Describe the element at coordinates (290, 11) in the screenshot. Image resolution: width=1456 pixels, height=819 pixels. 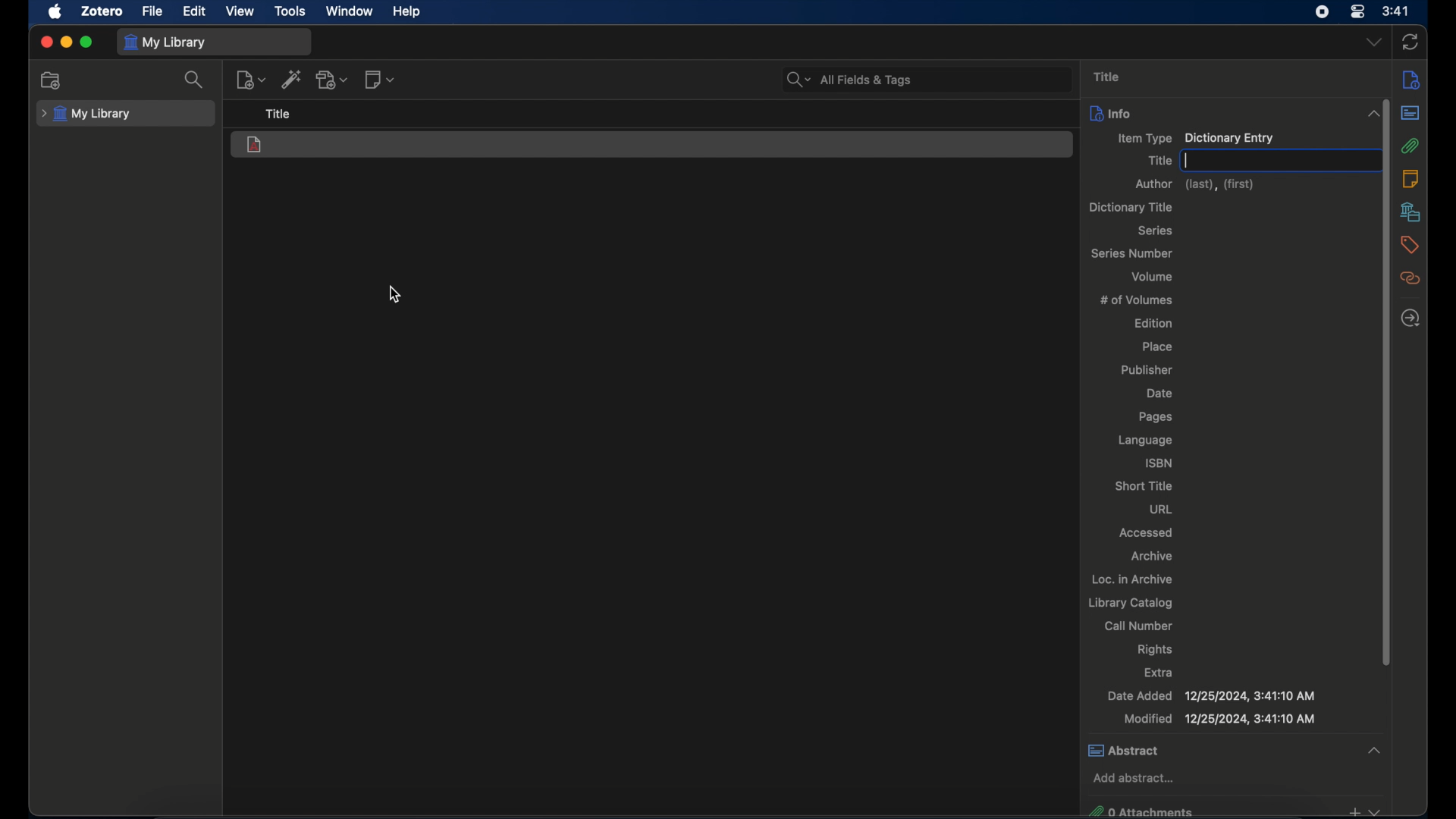
I see `tools` at that location.